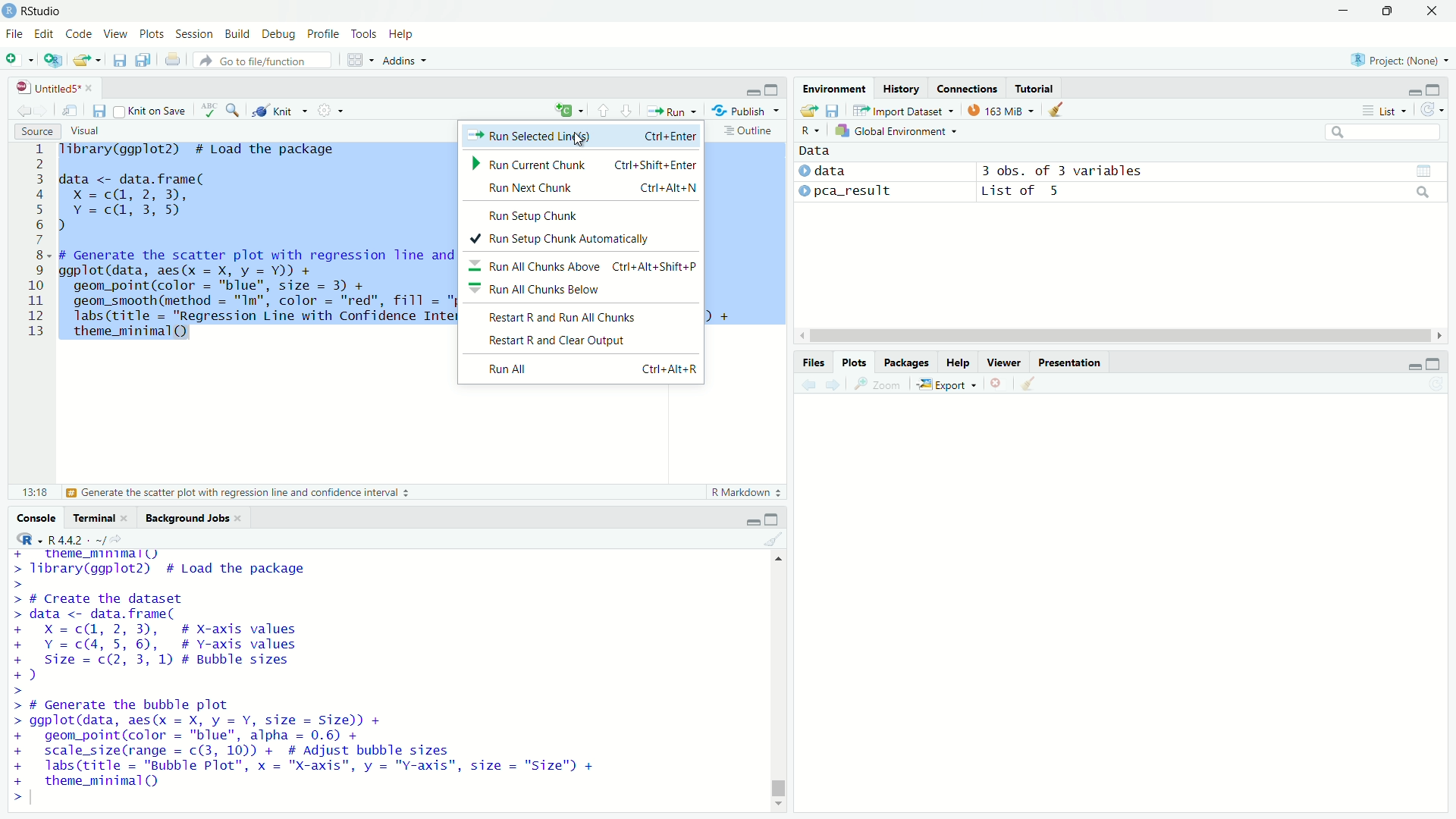 The width and height of the screenshot is (1456, 819). What do you see at coordinates (309, 677) in the screenshot?
I see `+ _ theme_mnimall)

> library(ggplot2) # Load the package

>

> # Create the dataset

> data <- data.frame(

+ X=c@, 2,3), # X-axis values

+ Y=c(4, 5, 6), # Y-axis values

+ Size = c(2, 3, 1) # Bubble sizes

+)

>

> # Generate the bubble plot

> ggplot(data, aes(x = X, y = Y, size = Size)) +

+ geom_point(color = "blue", alpha = 0.6) +

+ scale_size(range = c(3, 10)) + # Adjust bubble sizes
+ labs(title = "Bubble Plot", x = "X-axis", y = "Y-axis", size = "Size") +
+ theme_minimal()

>` at bounding box center [309, 677].